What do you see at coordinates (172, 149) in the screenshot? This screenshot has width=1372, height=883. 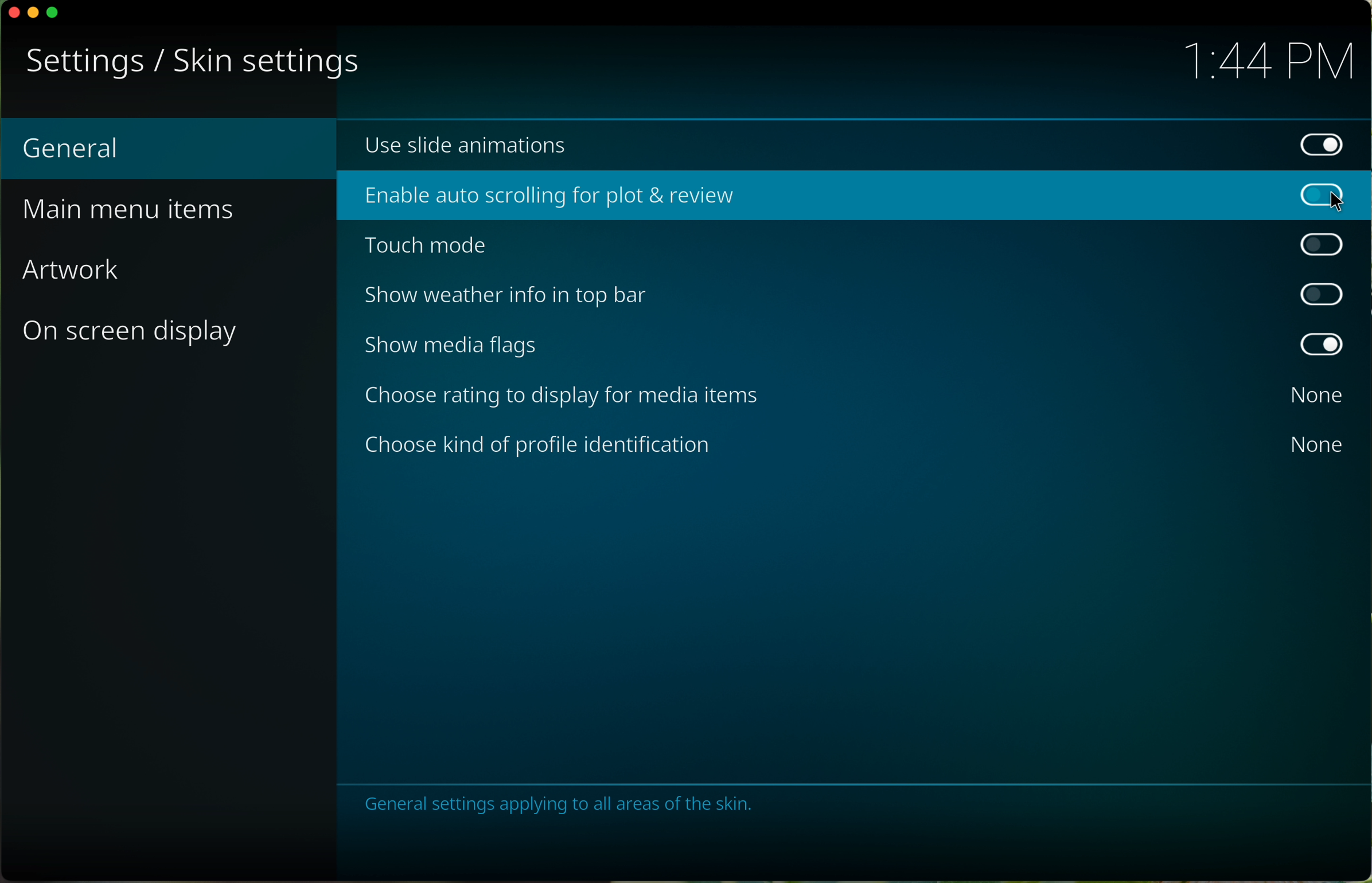 I see `General` at bounding box center [172, 149].